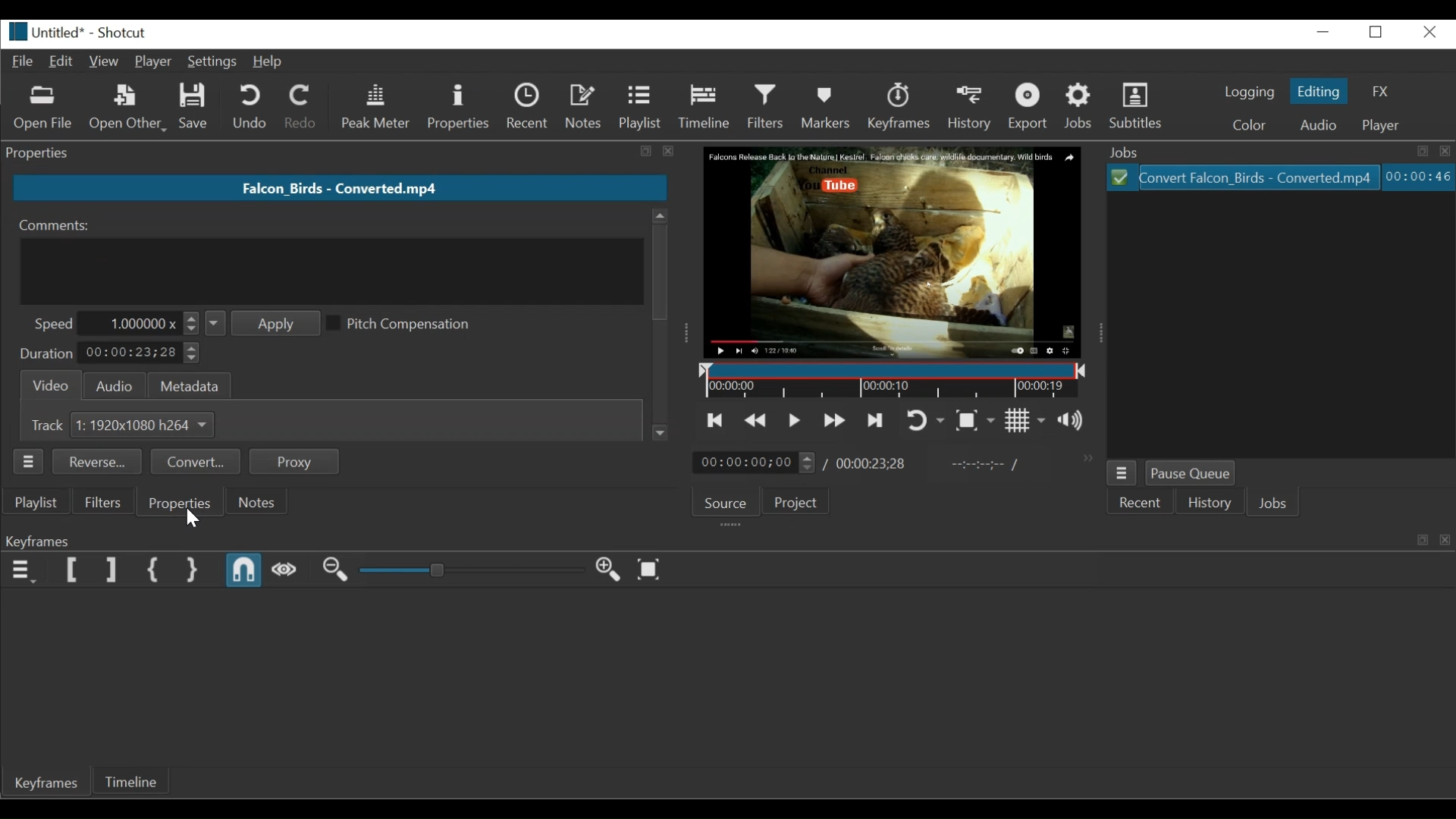 The image size is (1456, 819). Describe the element at coordinates (61, 62) in the screenshot. I see `Edit` at that location.